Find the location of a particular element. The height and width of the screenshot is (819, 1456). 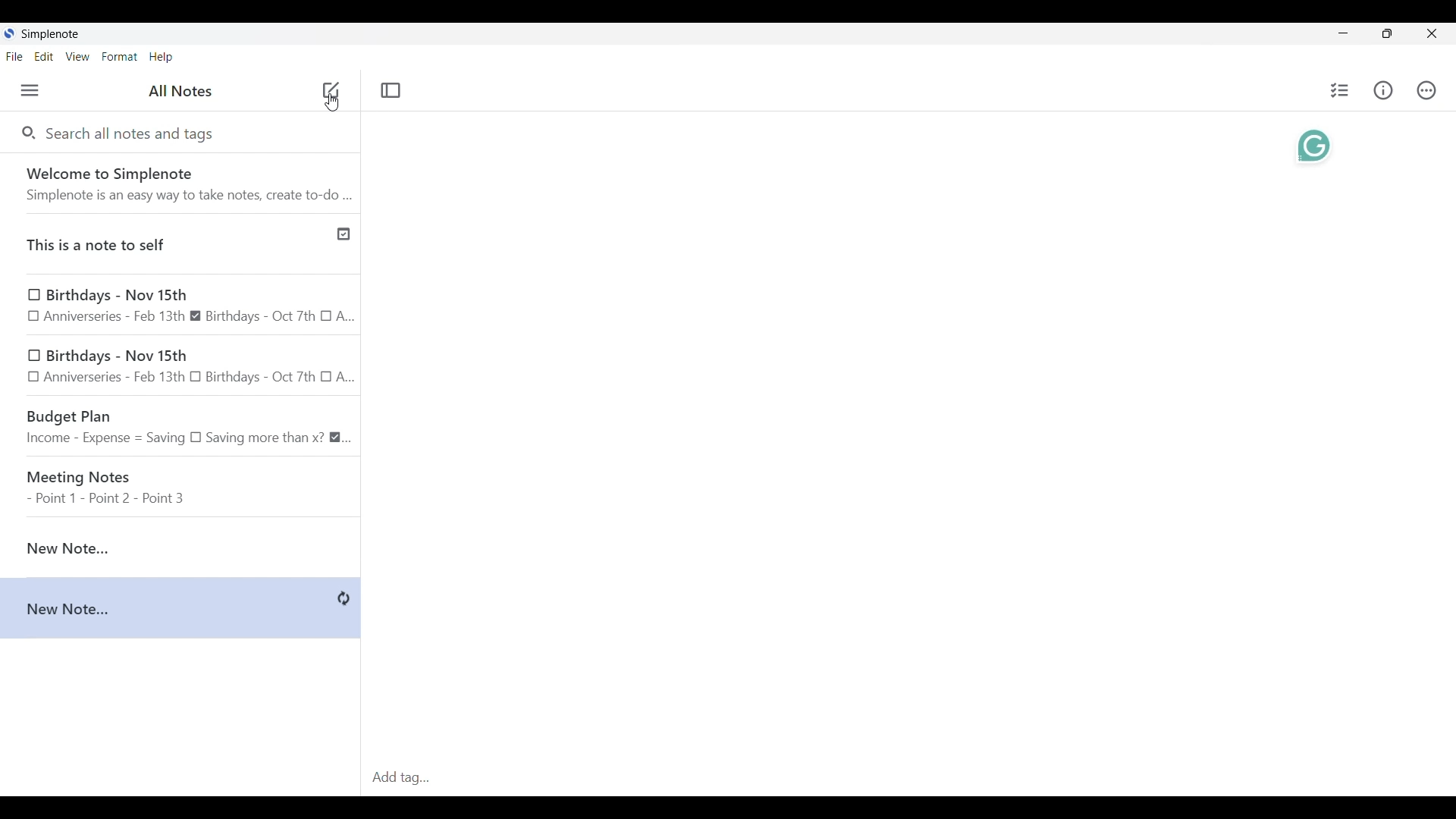

Grammarly extension activated is located at coordinates (1314, 146).